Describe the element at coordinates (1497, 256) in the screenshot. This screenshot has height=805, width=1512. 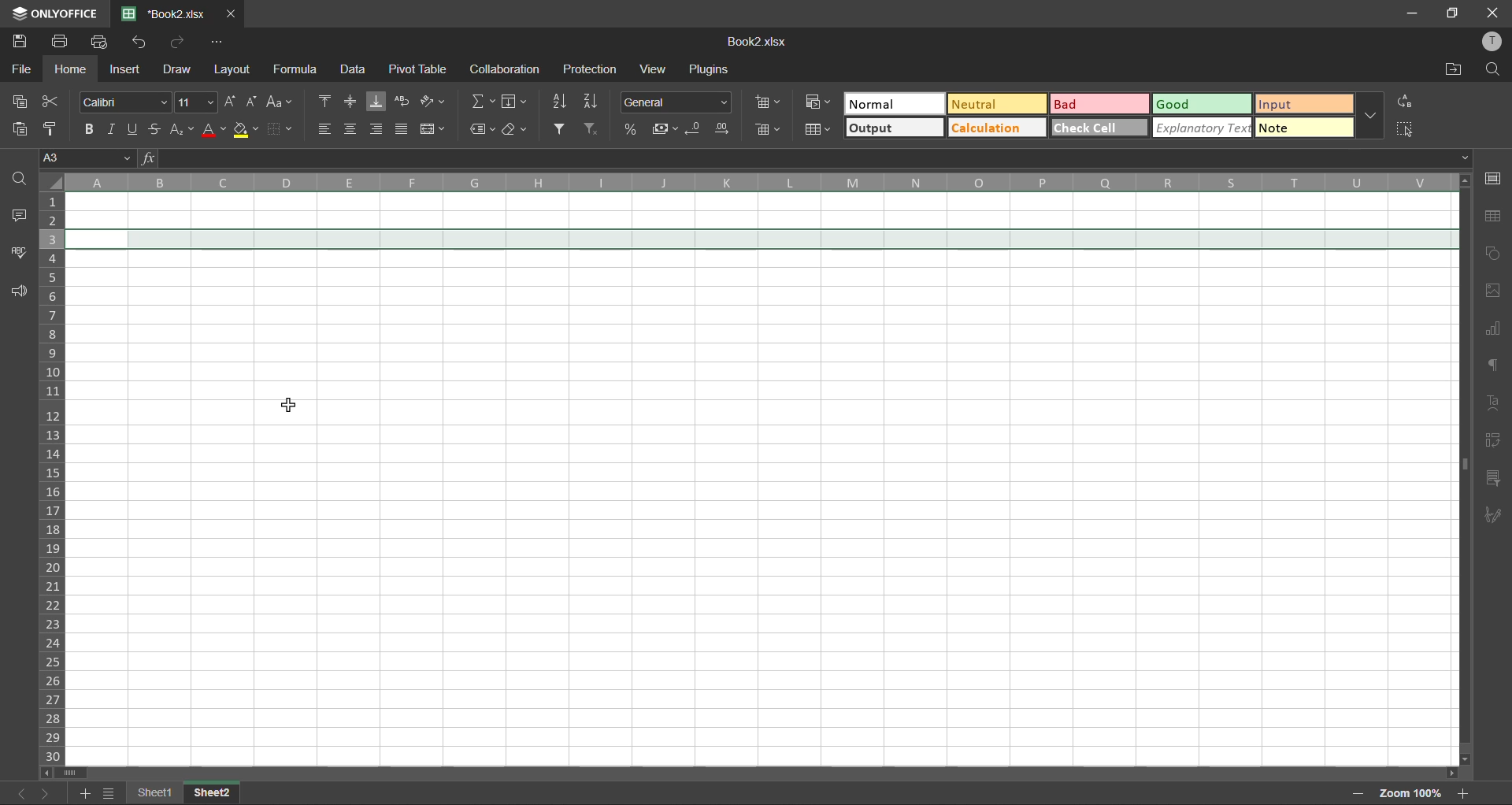
I see `shapes` at that location.